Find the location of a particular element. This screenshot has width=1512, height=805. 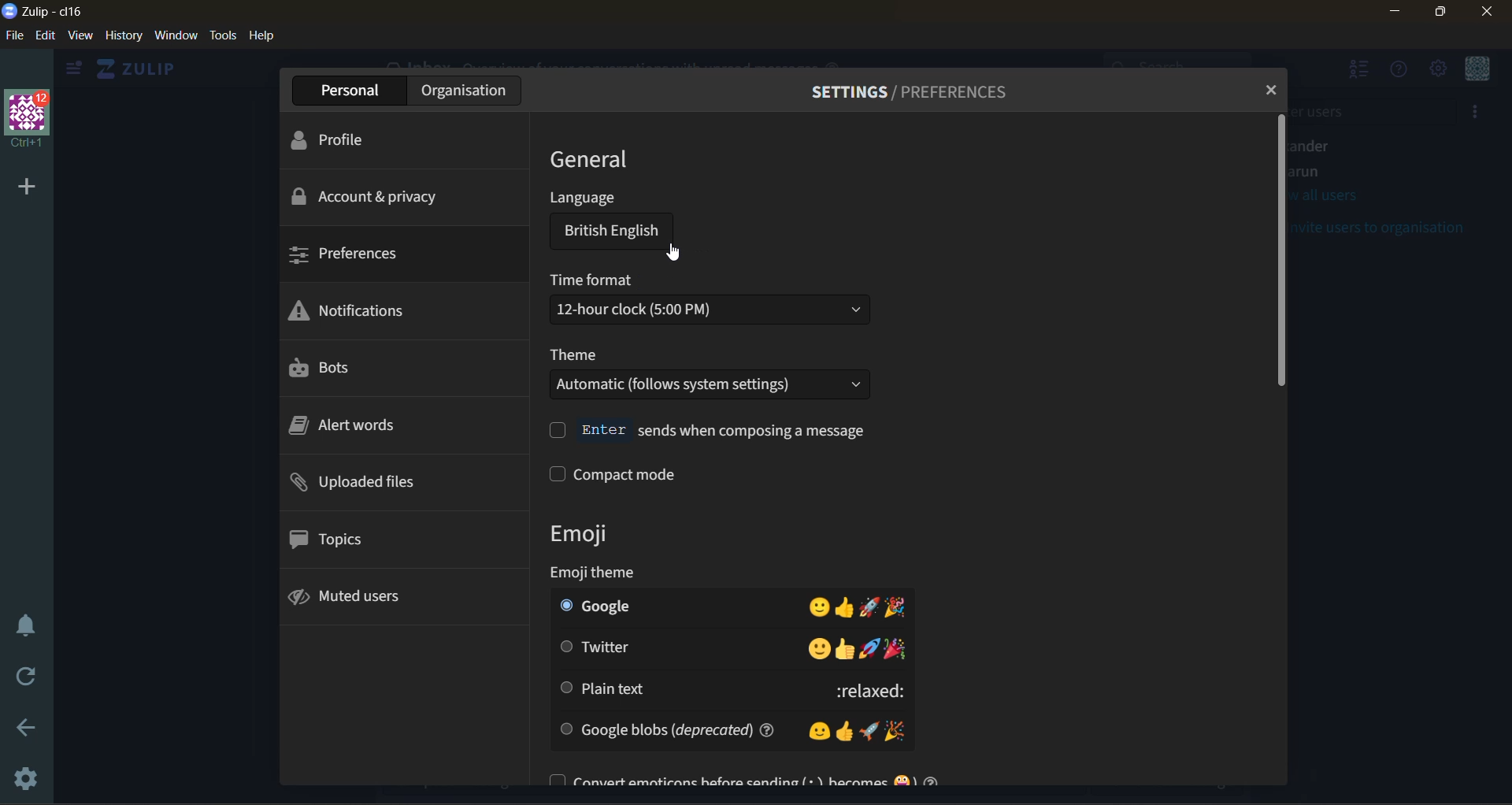

minimize is located at coordinates (1393, 12).